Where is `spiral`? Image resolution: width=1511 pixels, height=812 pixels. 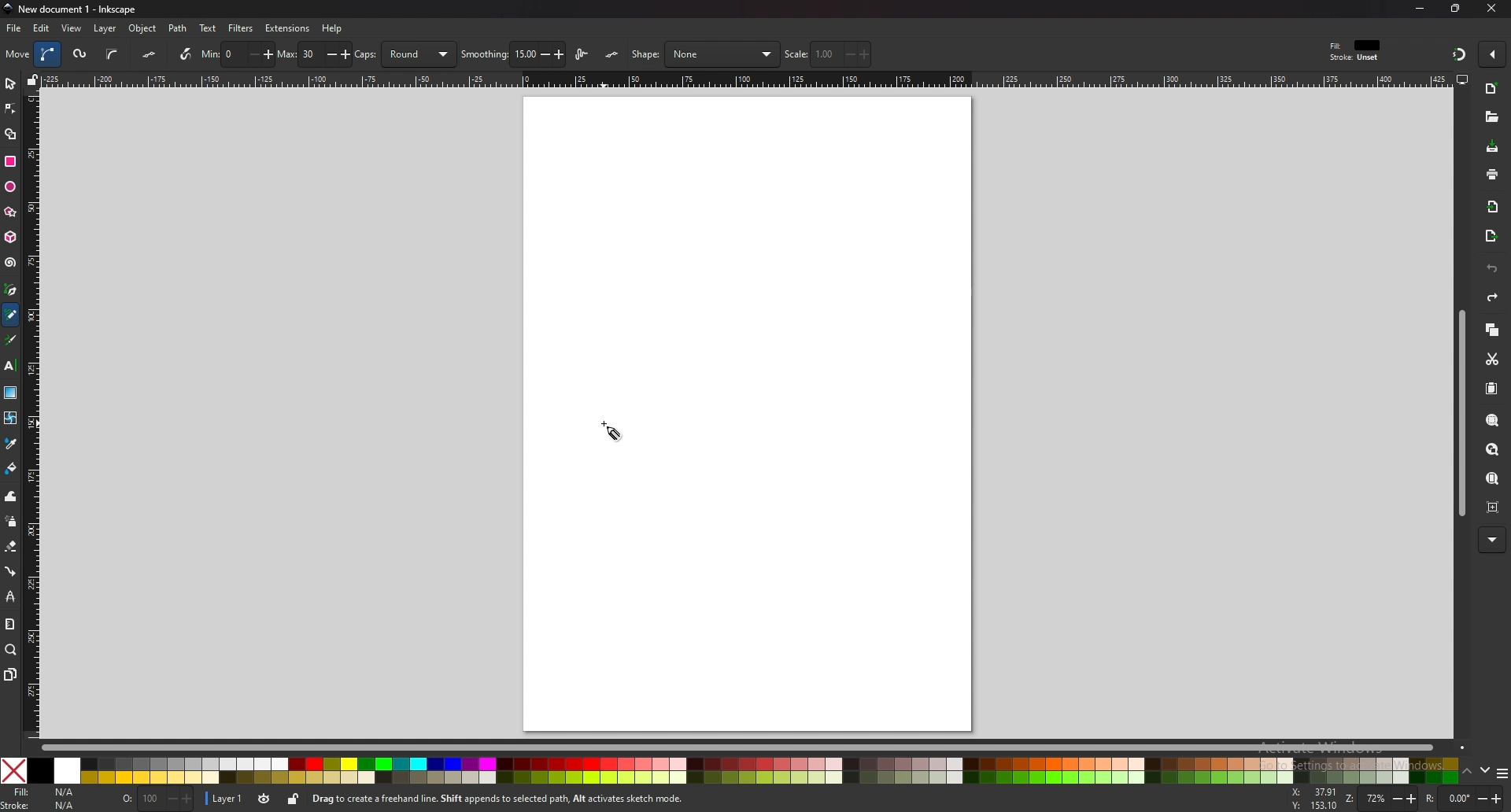
spiral is located at coordinates (10, 262).